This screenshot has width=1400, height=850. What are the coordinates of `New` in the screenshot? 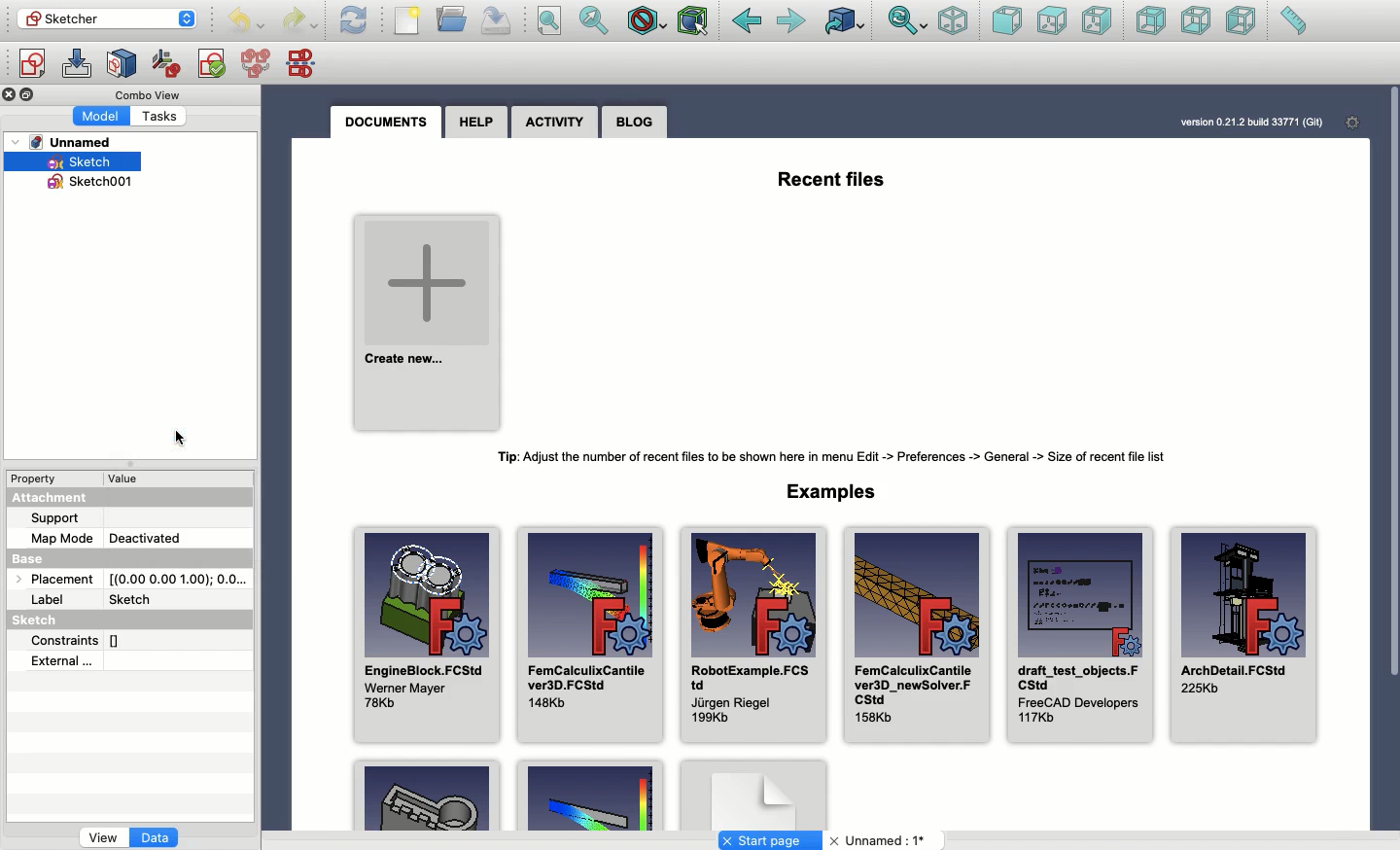 It's located at (407, 20).